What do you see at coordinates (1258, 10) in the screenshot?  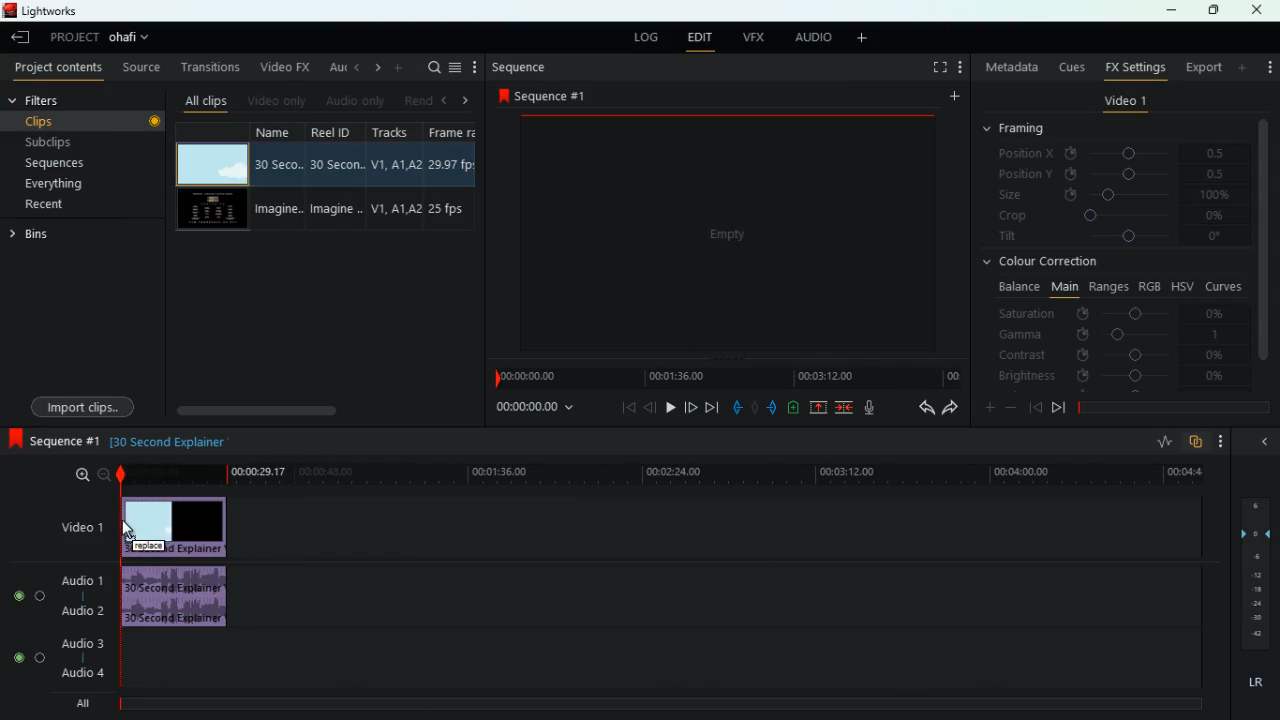 I see `close` at bounding box center [1258, 10].